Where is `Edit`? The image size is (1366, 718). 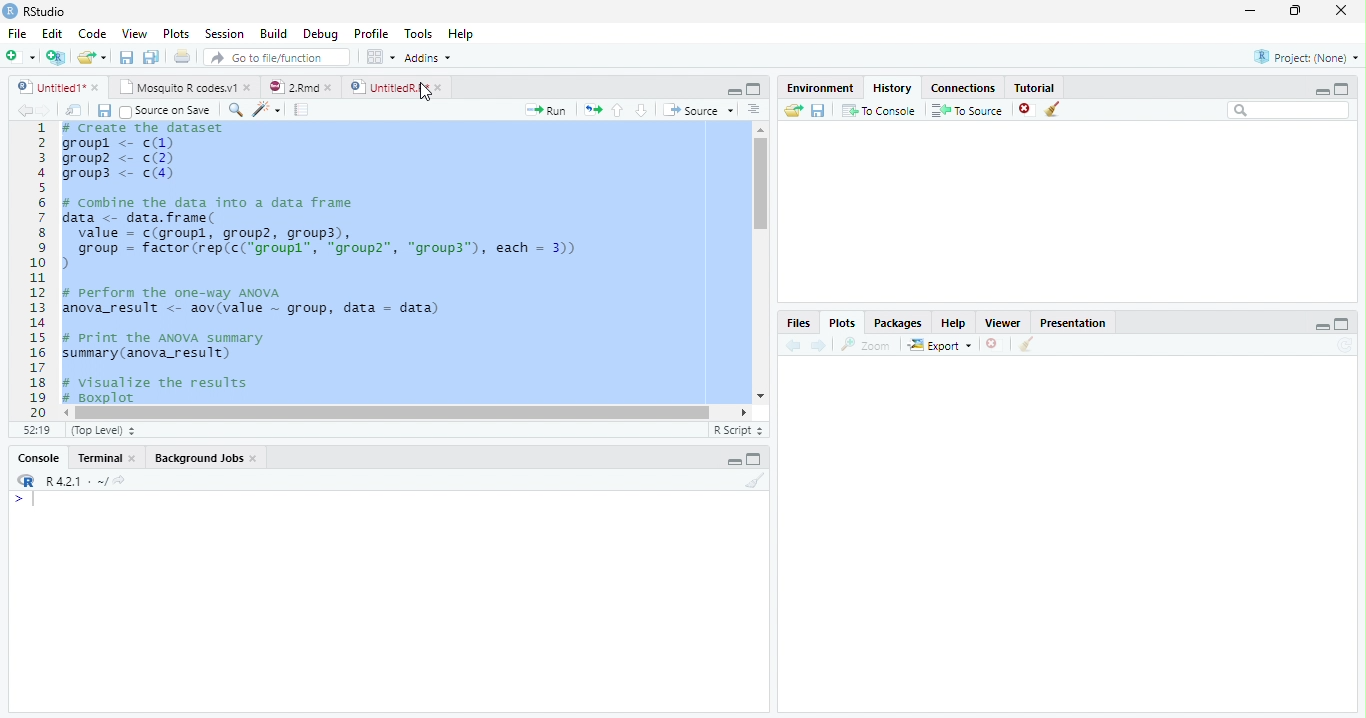
Edit is located at coordinates (51, 33).